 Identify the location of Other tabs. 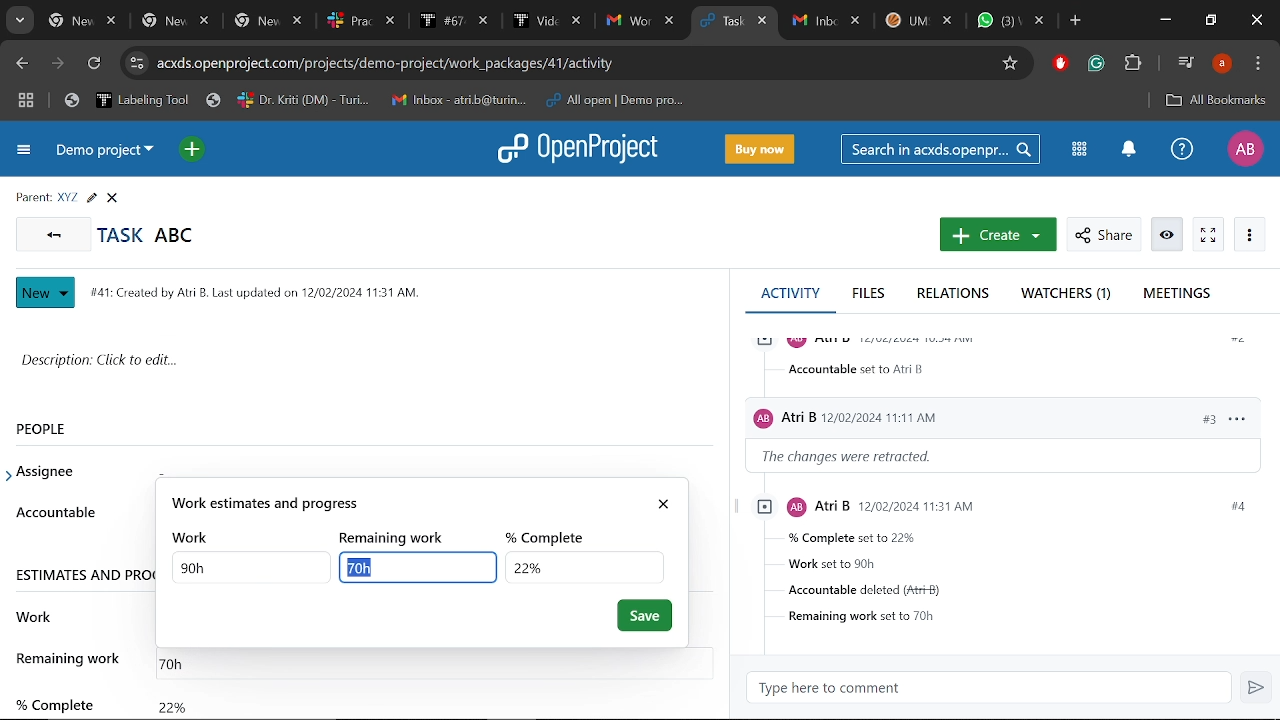
(918, 20).